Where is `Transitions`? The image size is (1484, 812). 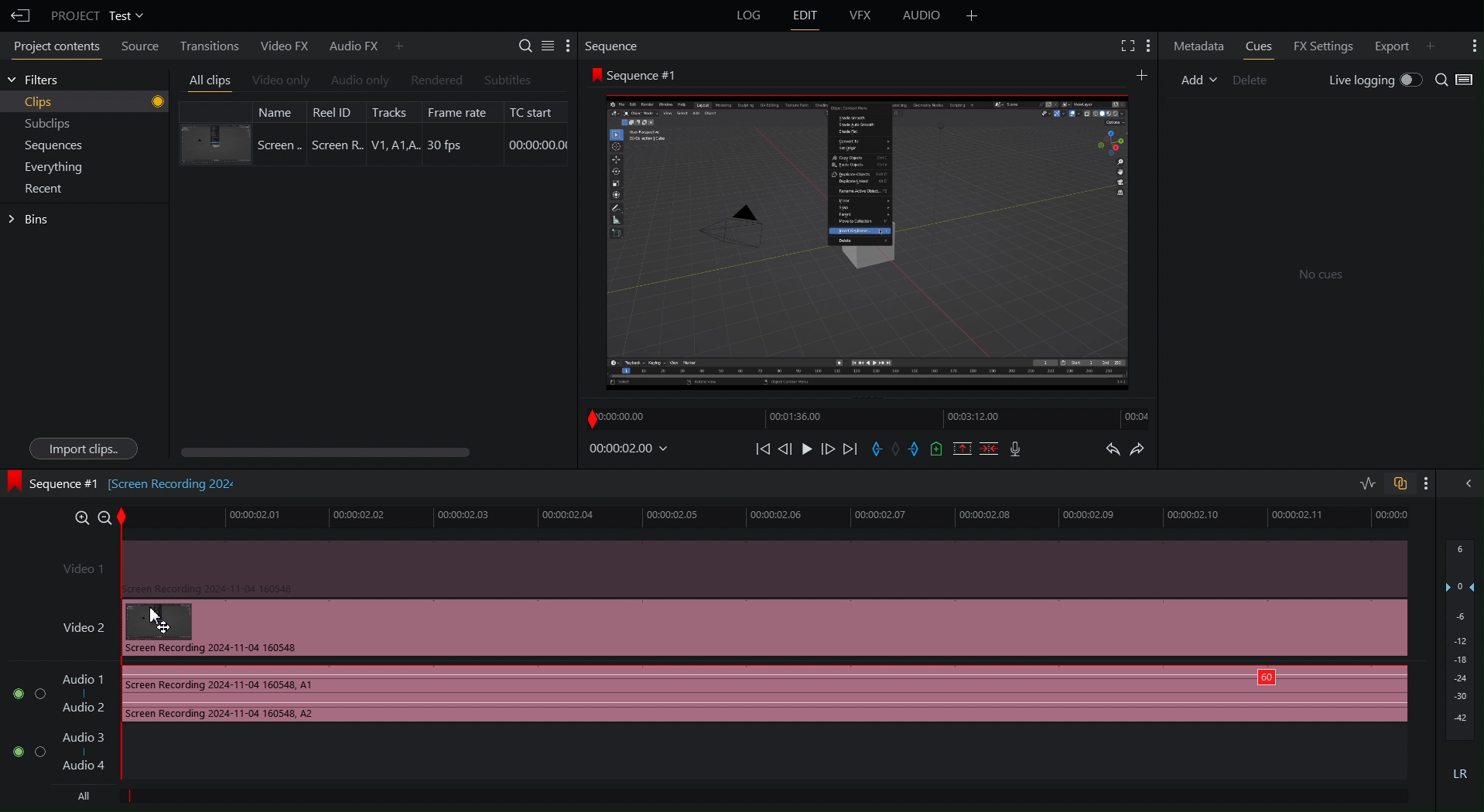 Transitions is located at coordinates (211, 45).